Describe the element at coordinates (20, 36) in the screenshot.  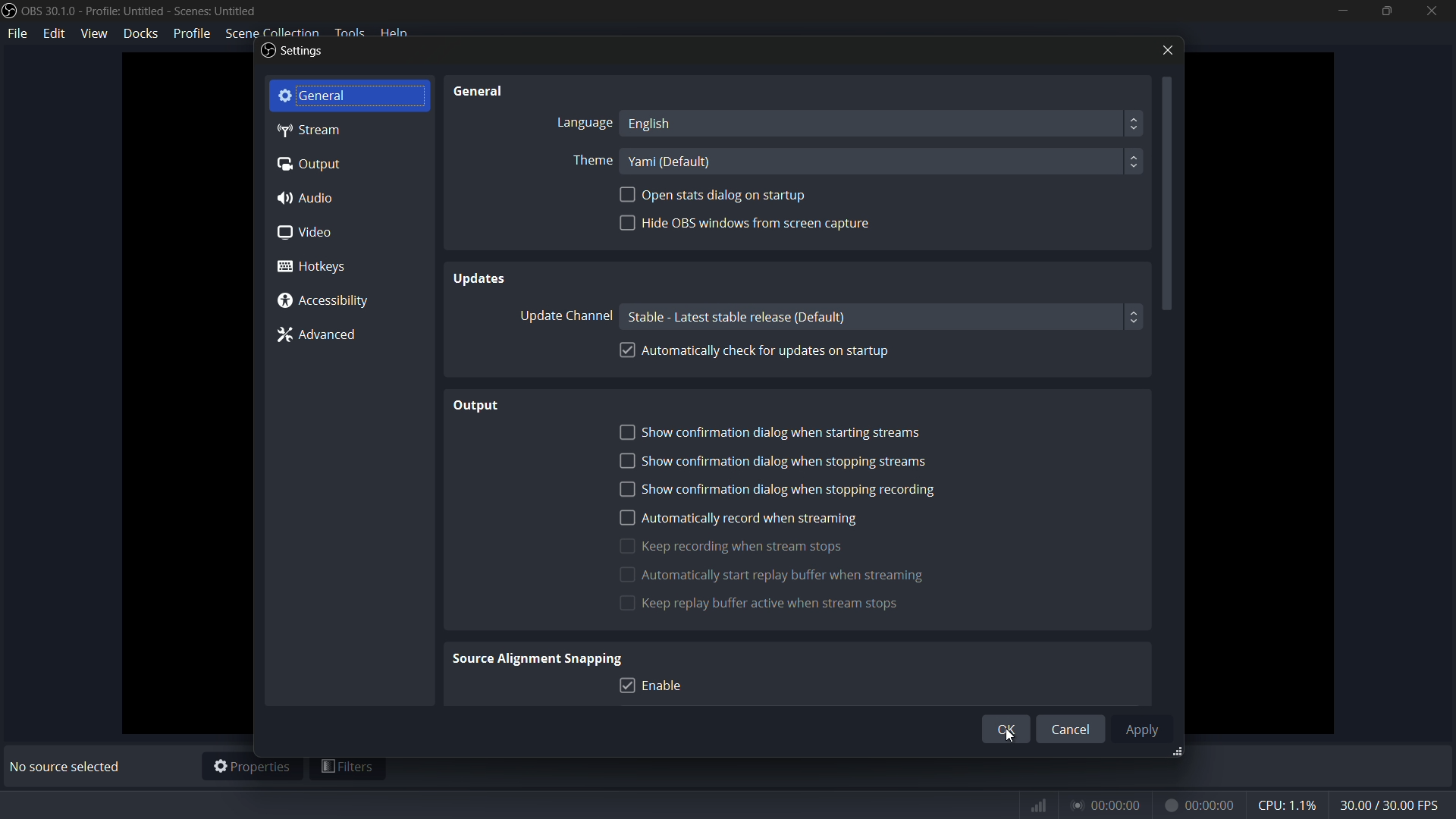
I see `file` at that location.